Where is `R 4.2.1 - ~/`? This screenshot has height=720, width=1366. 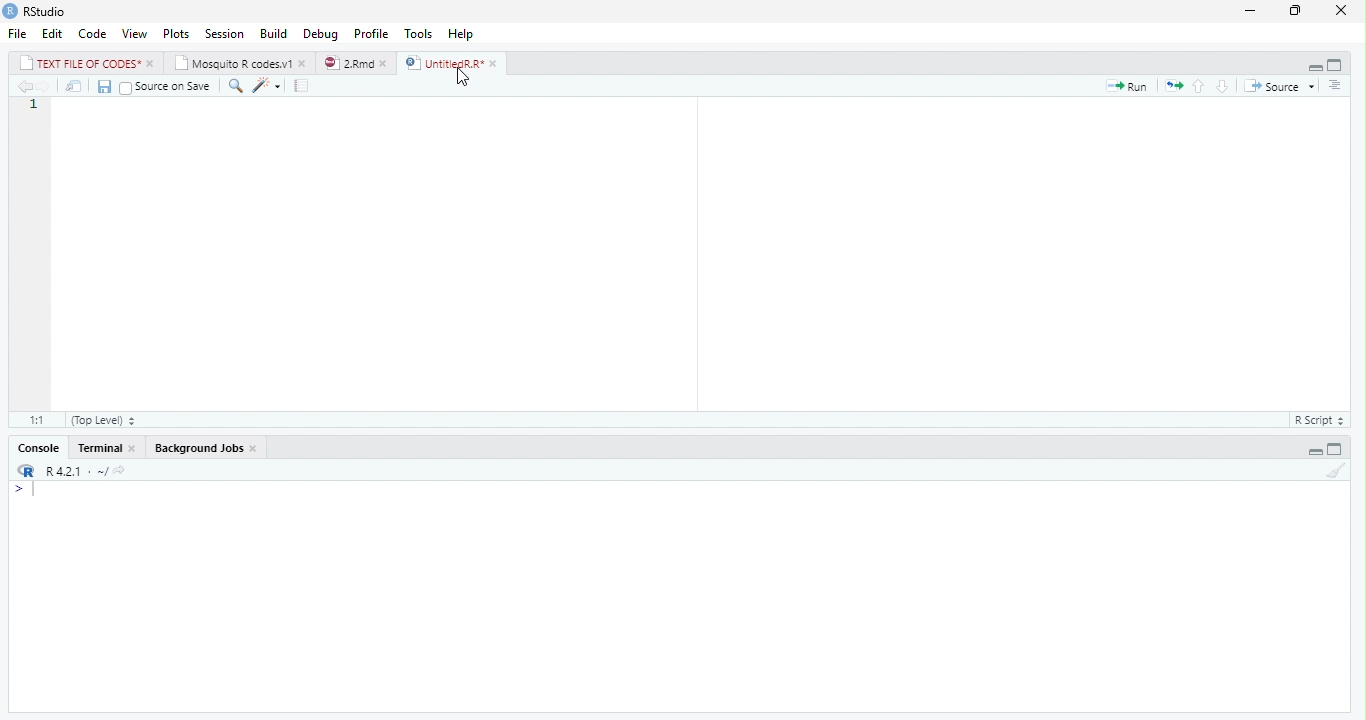
R 4.2.1 - ~/ is located at coordinates (67, 470).